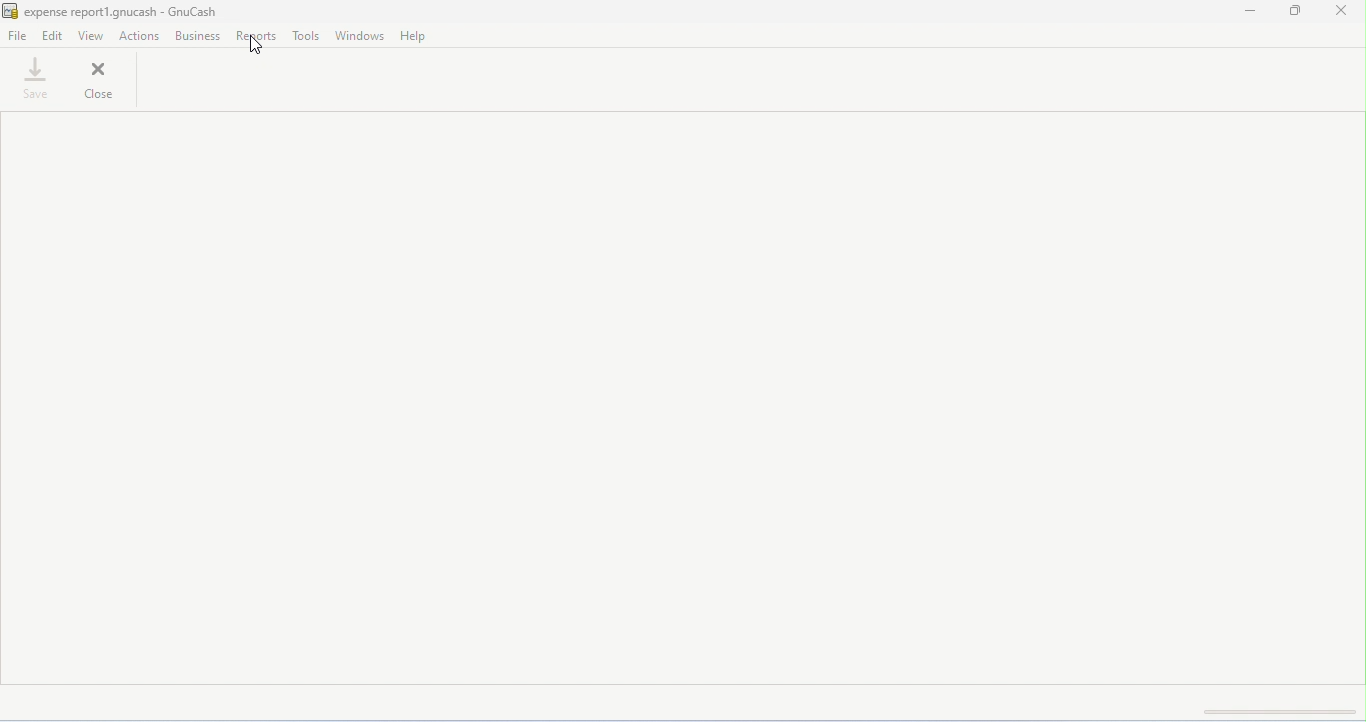 The width and height of the screenshot is (1366, 722). I want to click on close, so click(99, 79).